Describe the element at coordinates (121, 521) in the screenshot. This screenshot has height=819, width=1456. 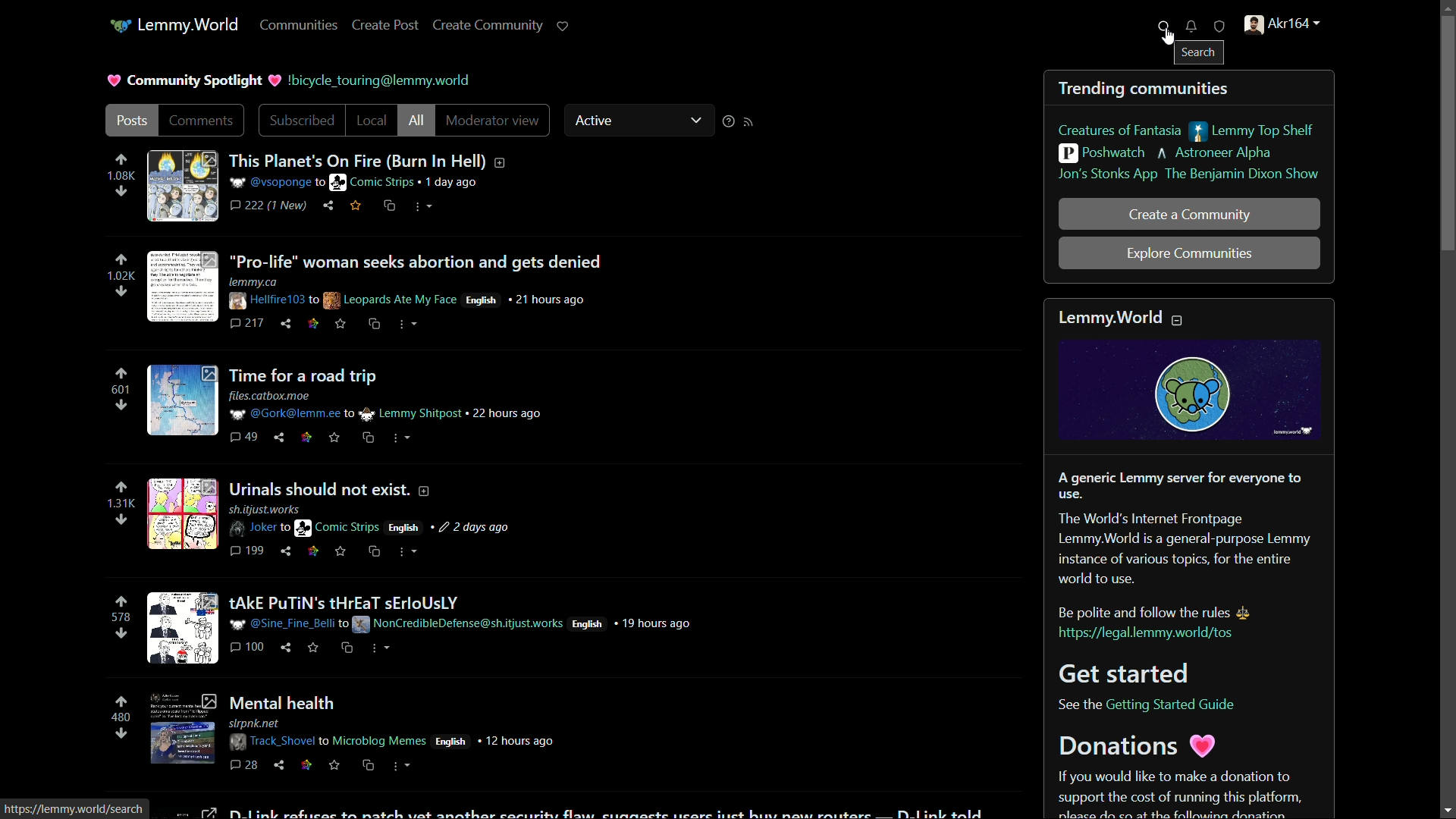
I see `downvote` at that location.